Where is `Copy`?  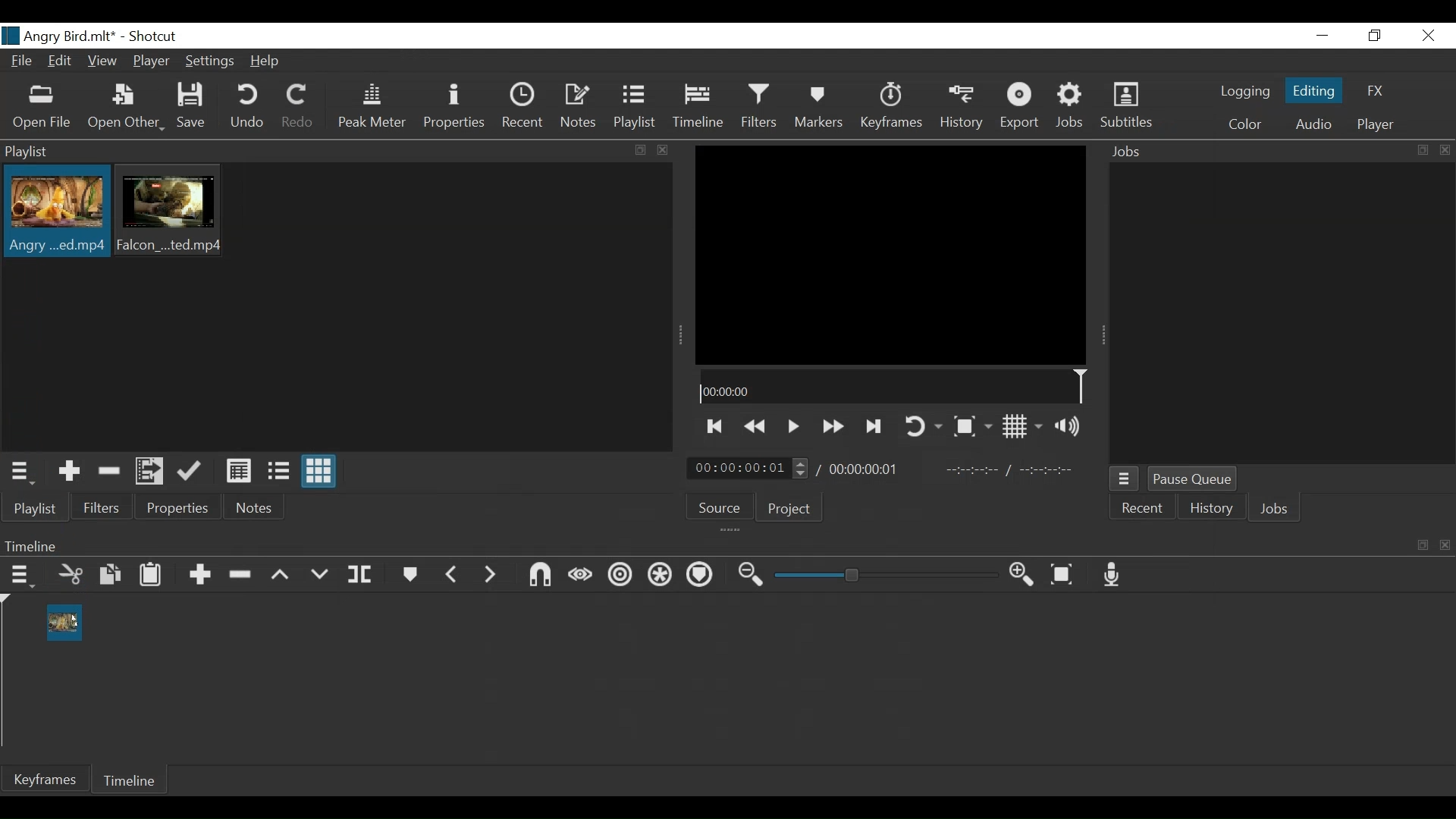 Copy is located at coordinates (112, 575).